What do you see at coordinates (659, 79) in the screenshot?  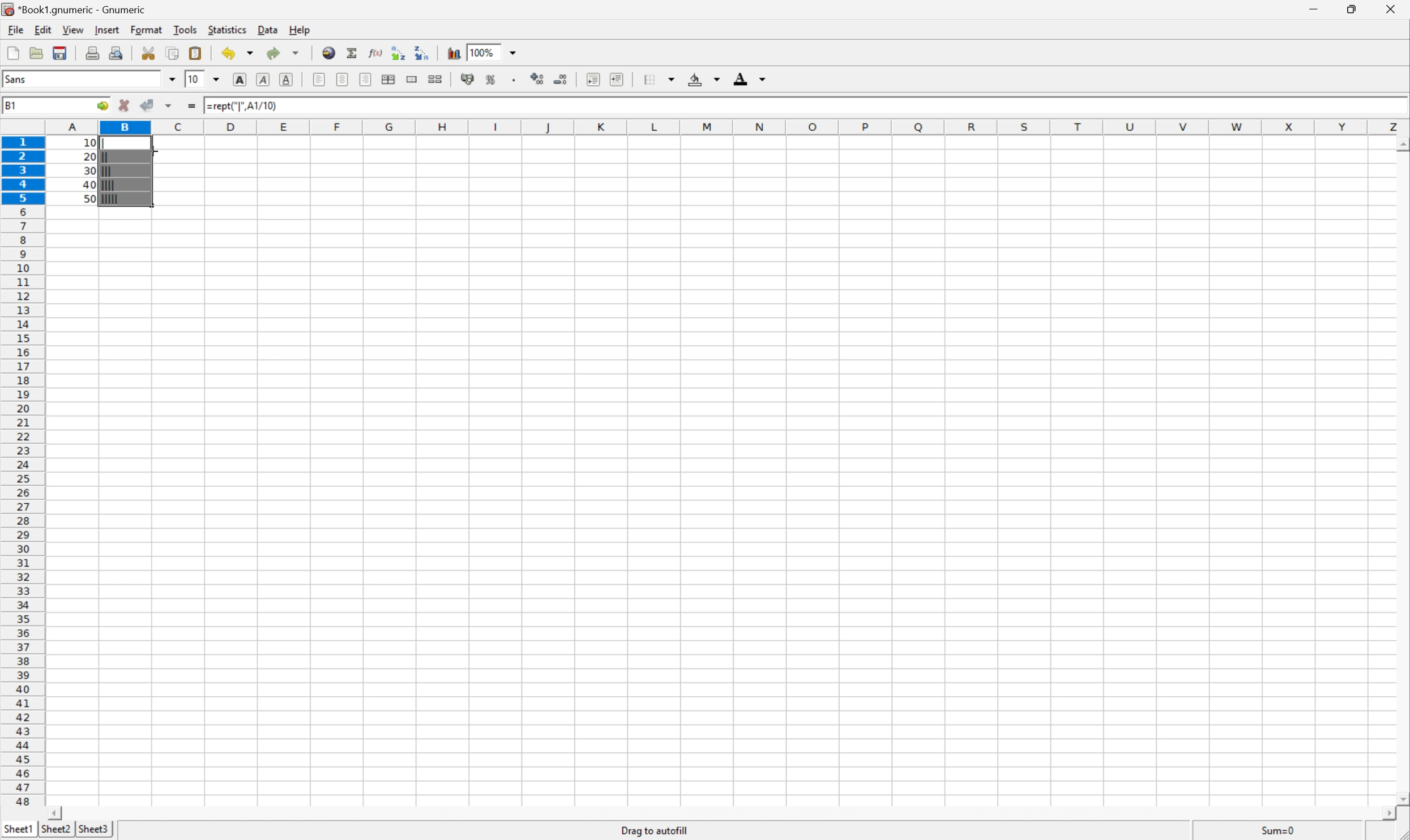 I see `Borders` at bounding box center [659, 79].